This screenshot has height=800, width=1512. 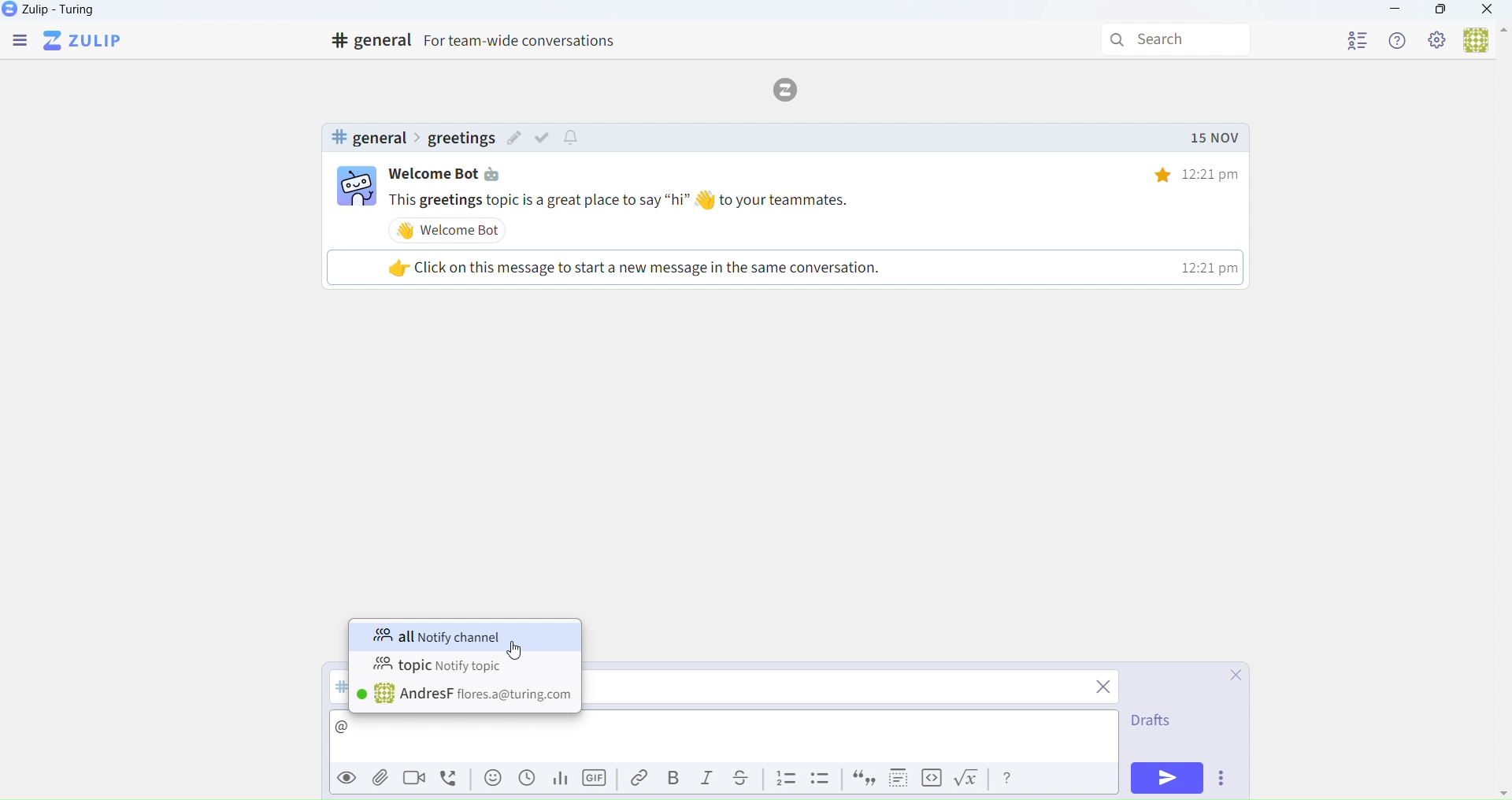 I want to click on Help, so click(x=1009, y=778).